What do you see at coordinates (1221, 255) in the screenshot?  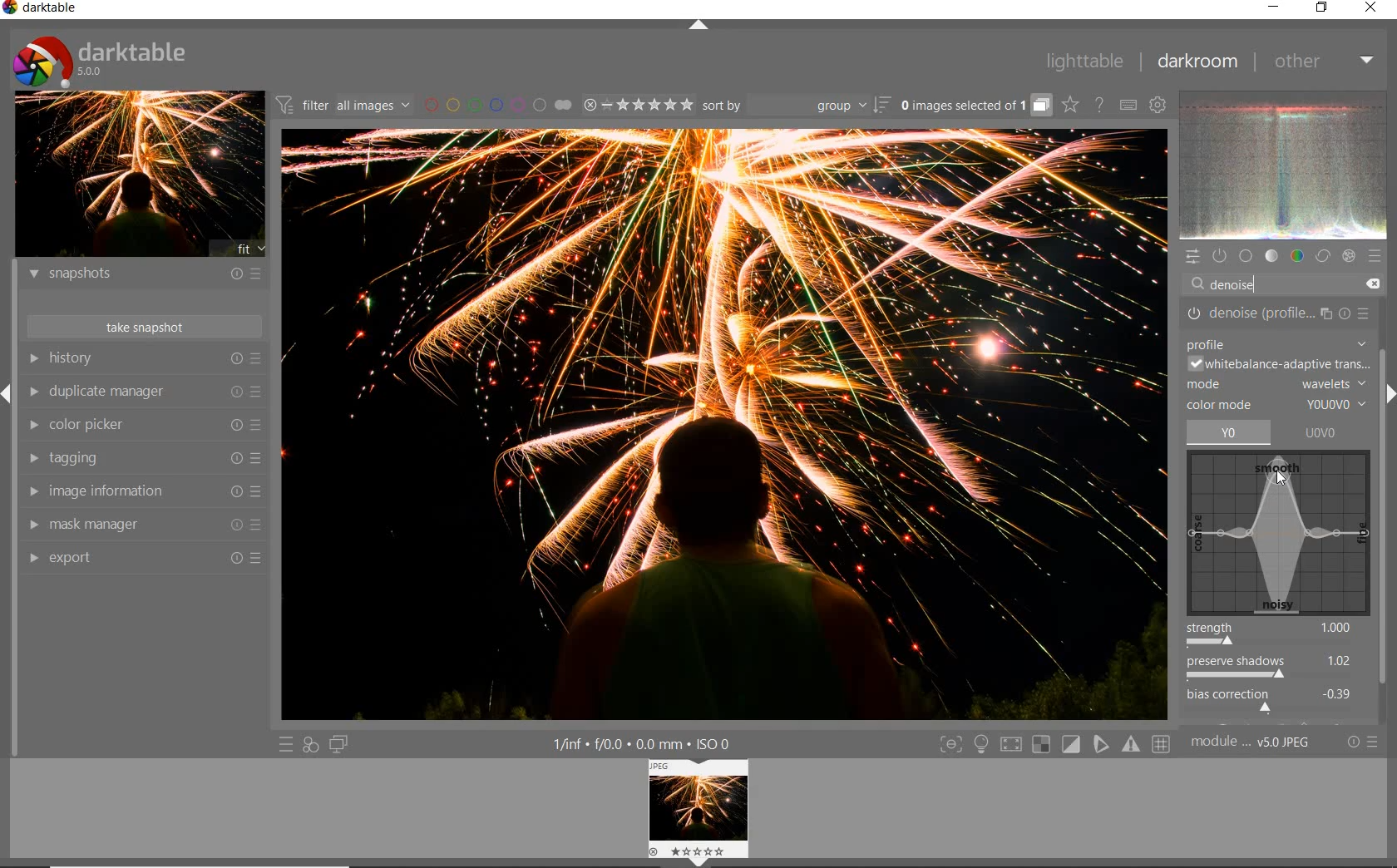 I see `show only active modules` at bounding box center [1221, 255].